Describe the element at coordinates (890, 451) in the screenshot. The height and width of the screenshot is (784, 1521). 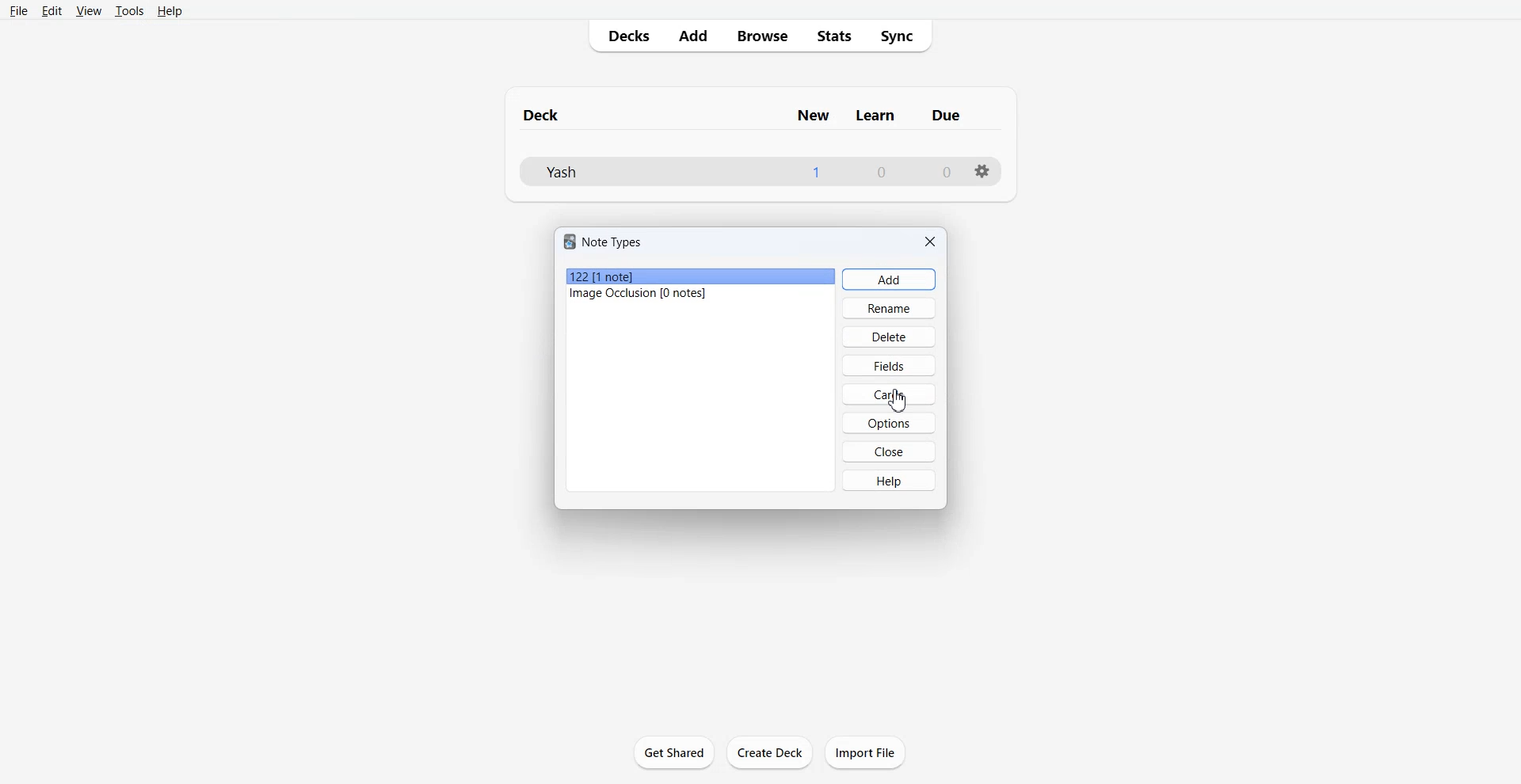
I see `Close` at that location.